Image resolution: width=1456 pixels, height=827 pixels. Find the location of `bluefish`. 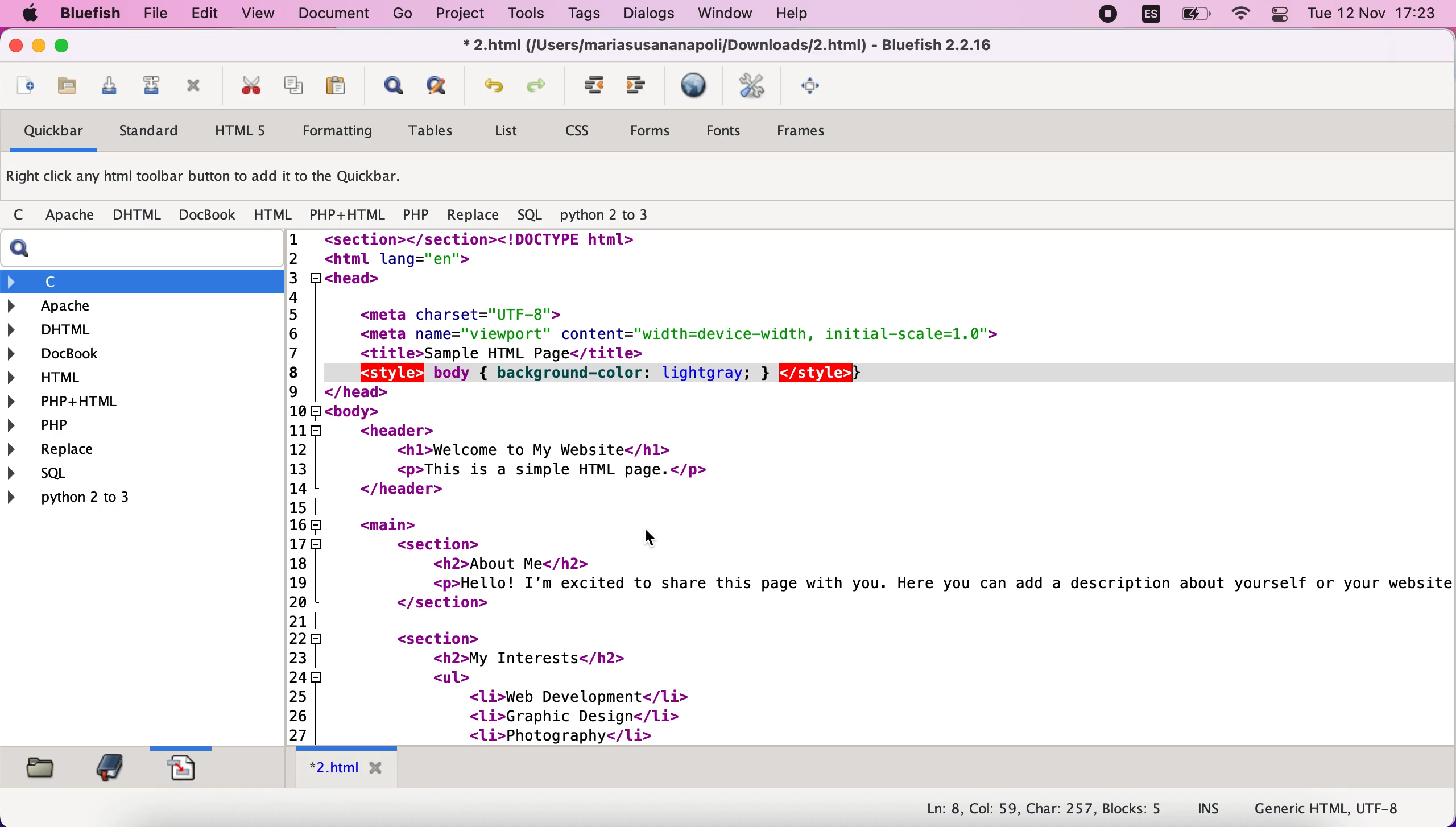

bluefish is located at coordinates (96, 15).